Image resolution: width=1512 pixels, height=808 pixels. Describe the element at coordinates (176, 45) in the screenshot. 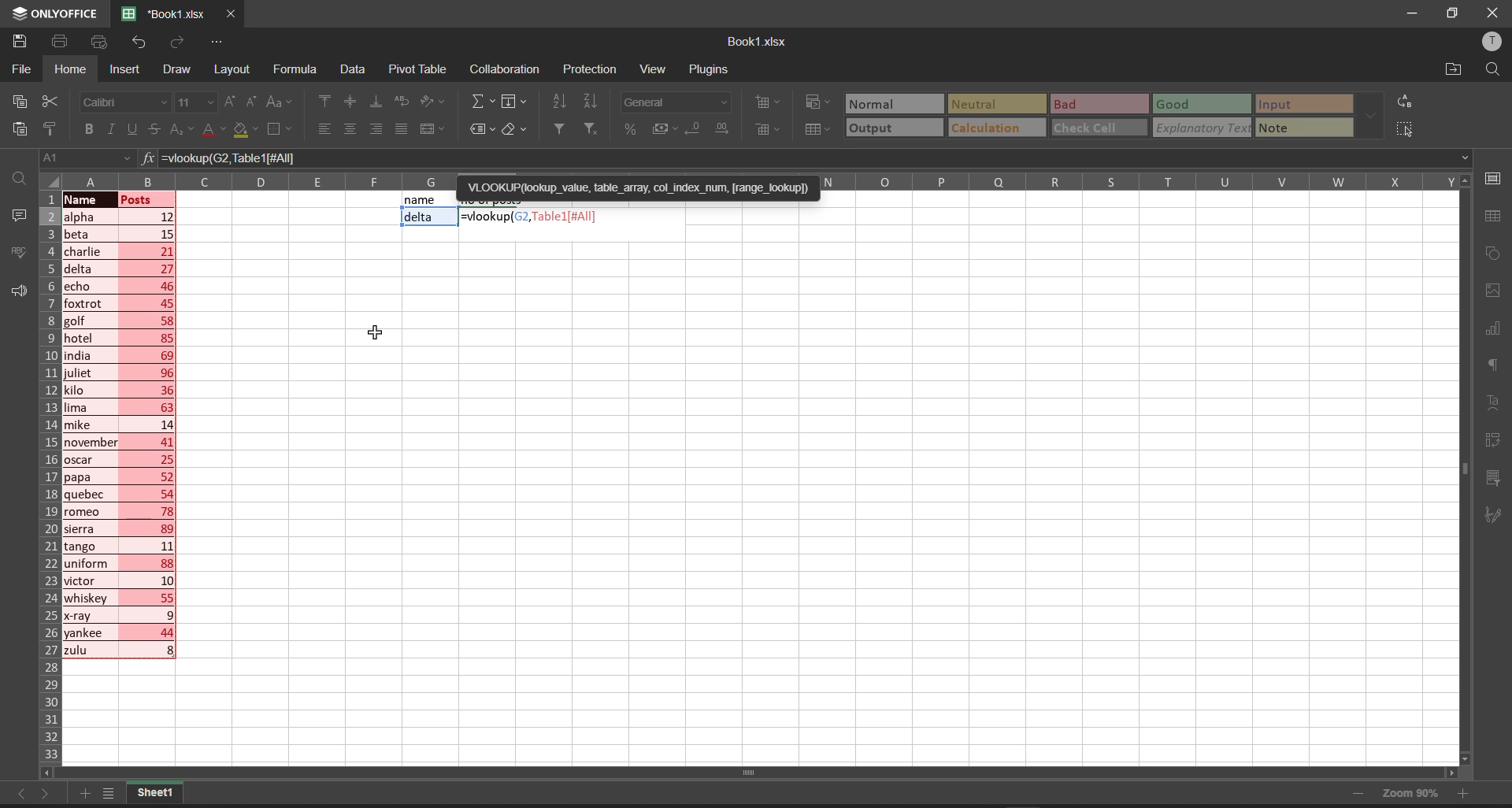

I see `redo` at that location.